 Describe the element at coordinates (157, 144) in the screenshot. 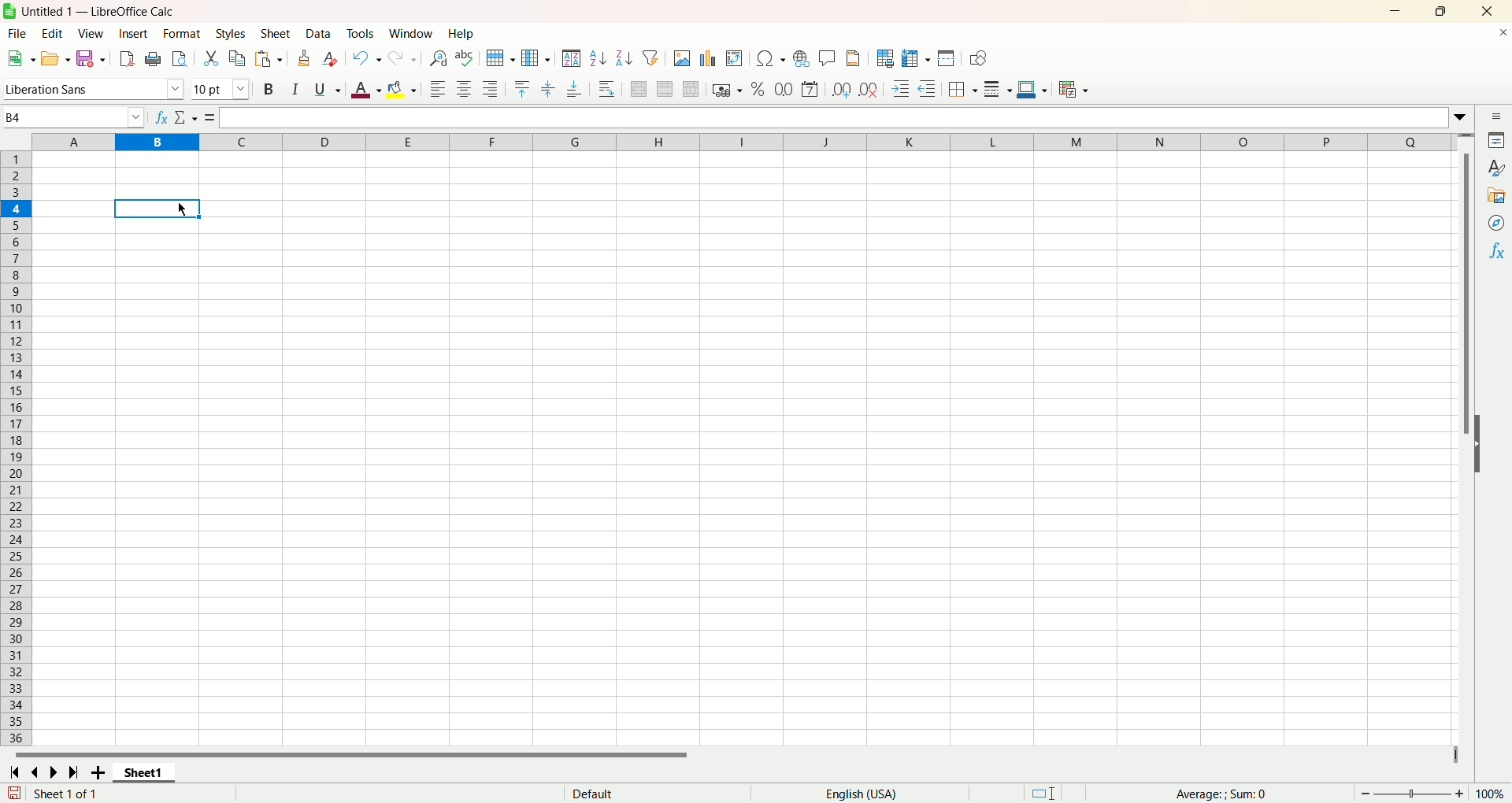

I see `active column` at that location.